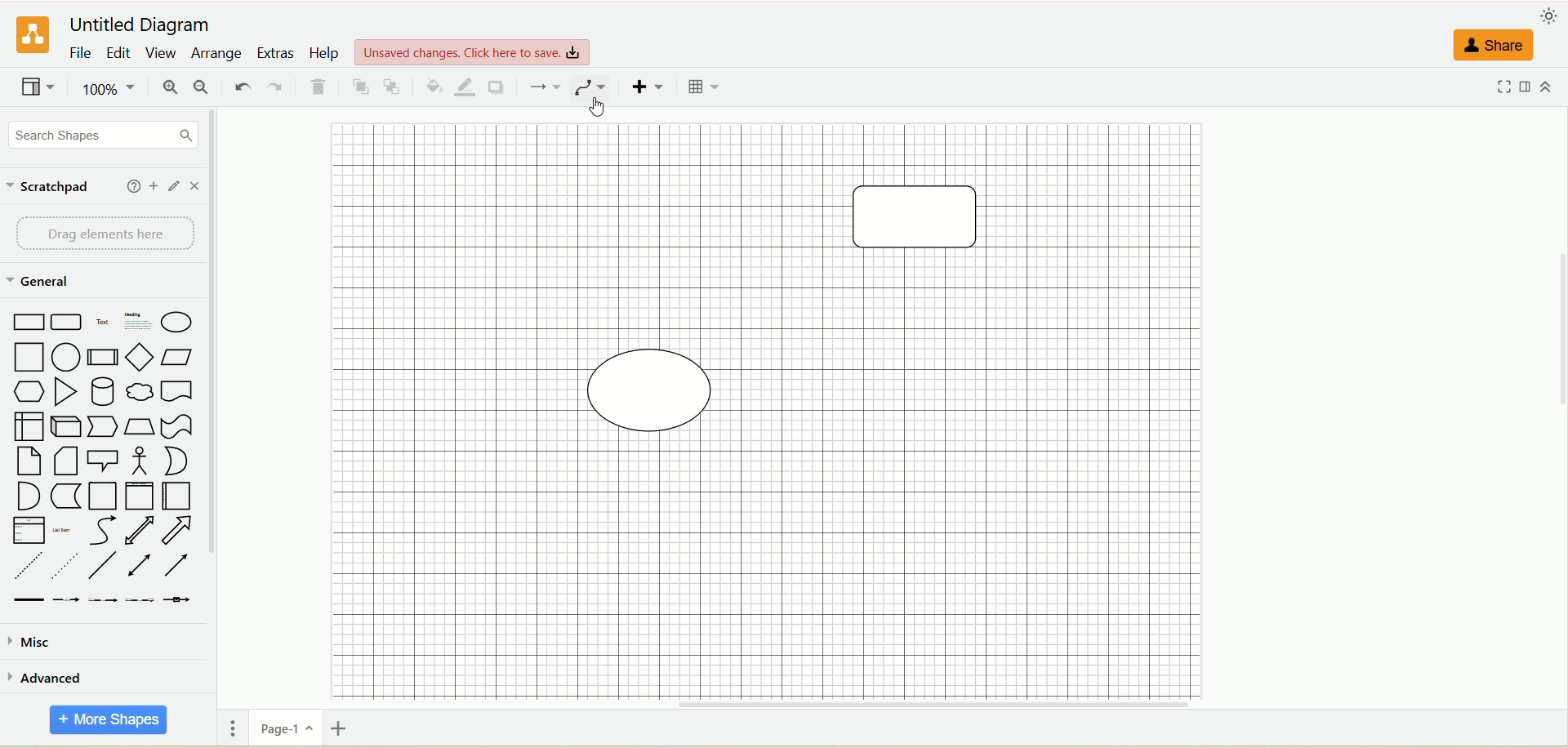 The image size is (1568, 748). Describe the element at coordinates (100, 456) in the screenshot. I see `shapes` at that location.